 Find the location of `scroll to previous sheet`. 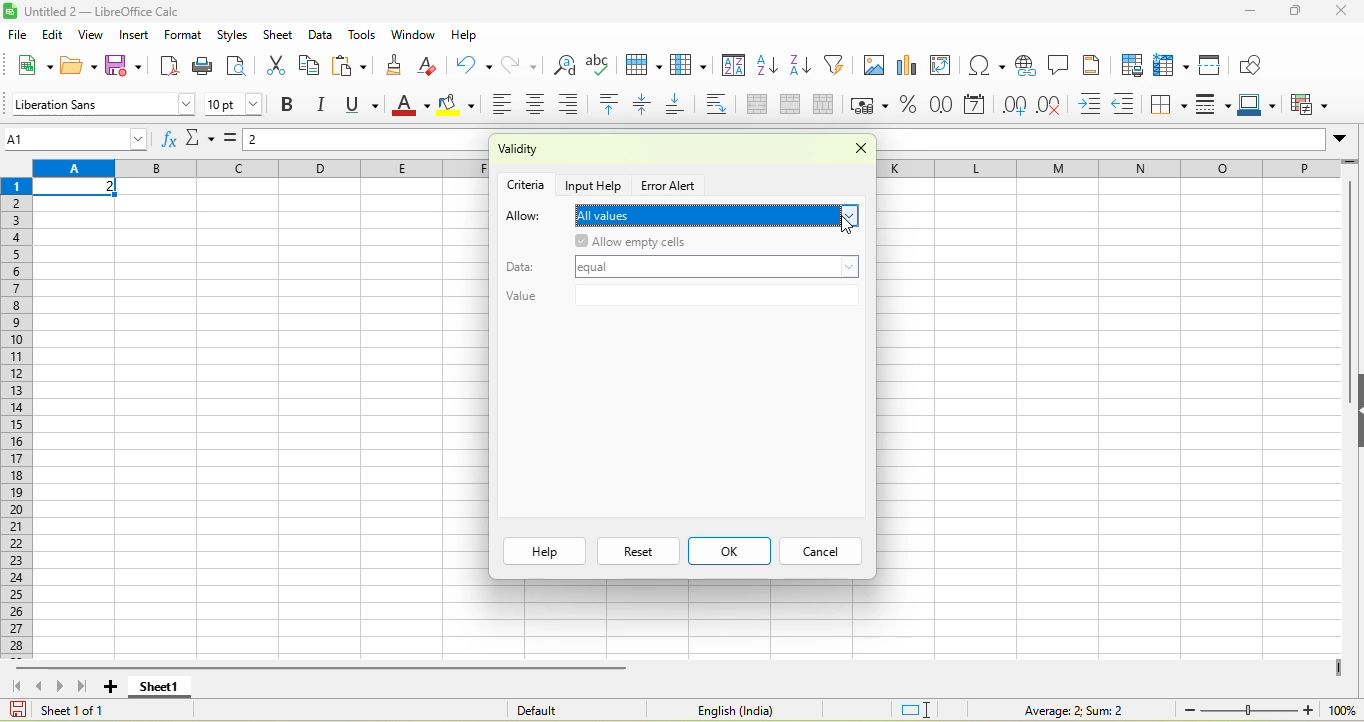

scroll to previous sheet is located at coordinates (41, 686).